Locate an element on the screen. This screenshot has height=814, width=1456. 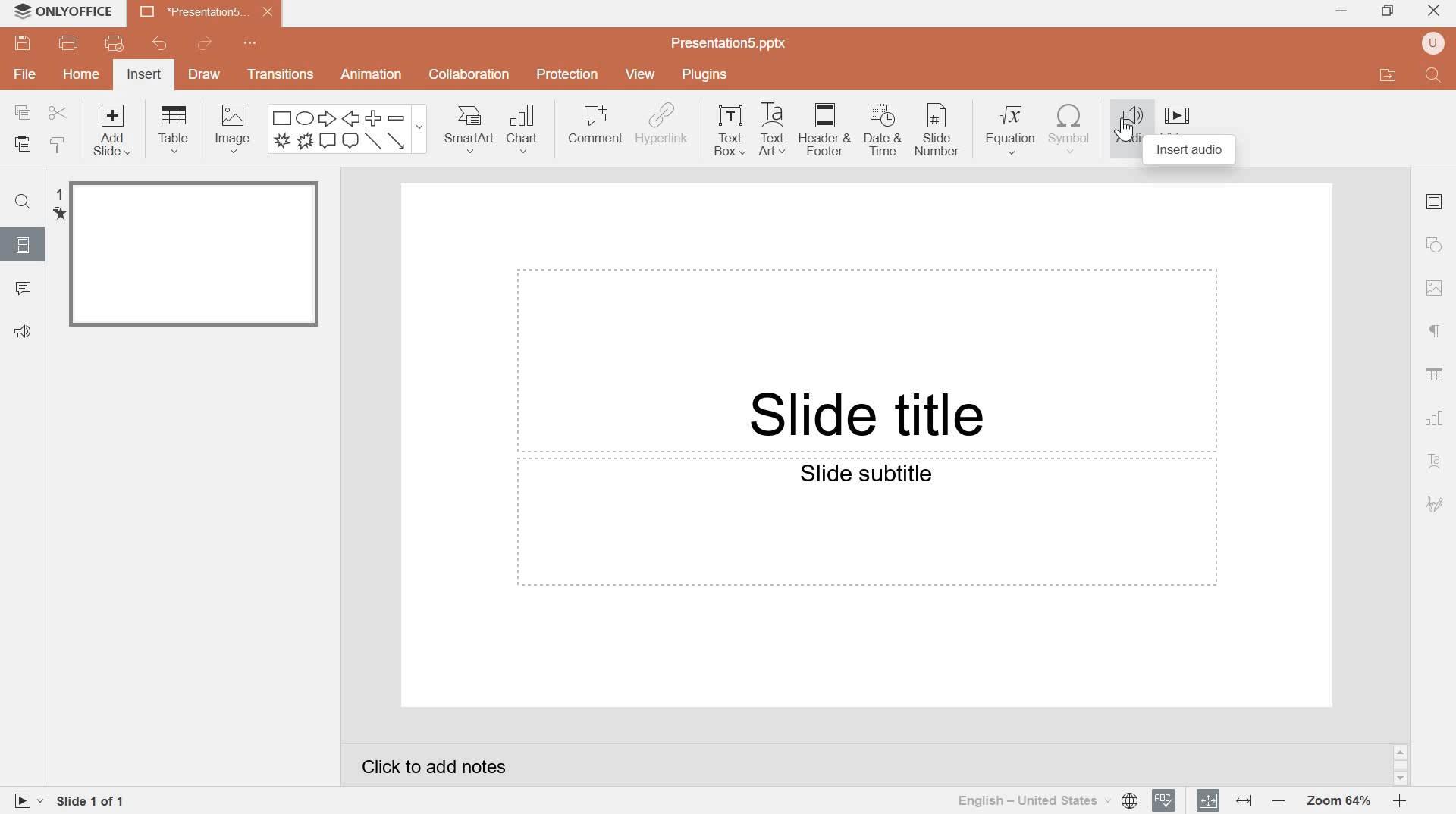
SmartArt is located at coordinates (469, 129).